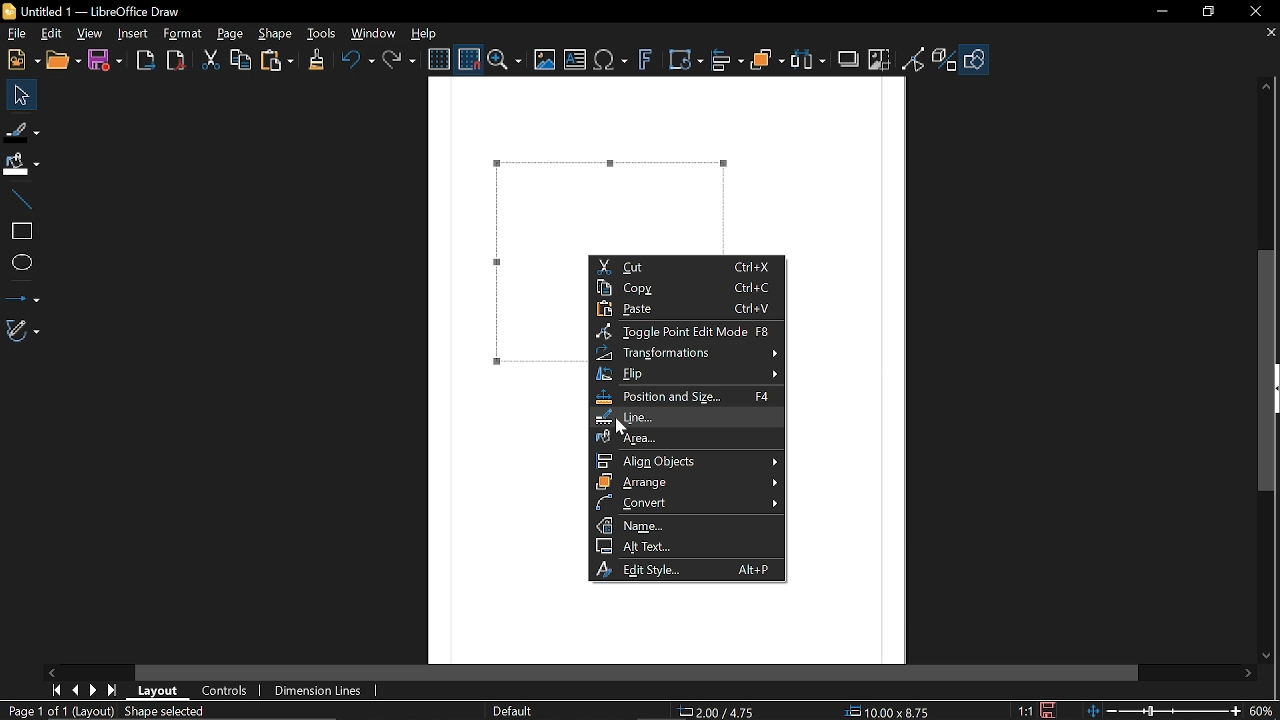  I want to click on Slide master name, so click(522, 711).